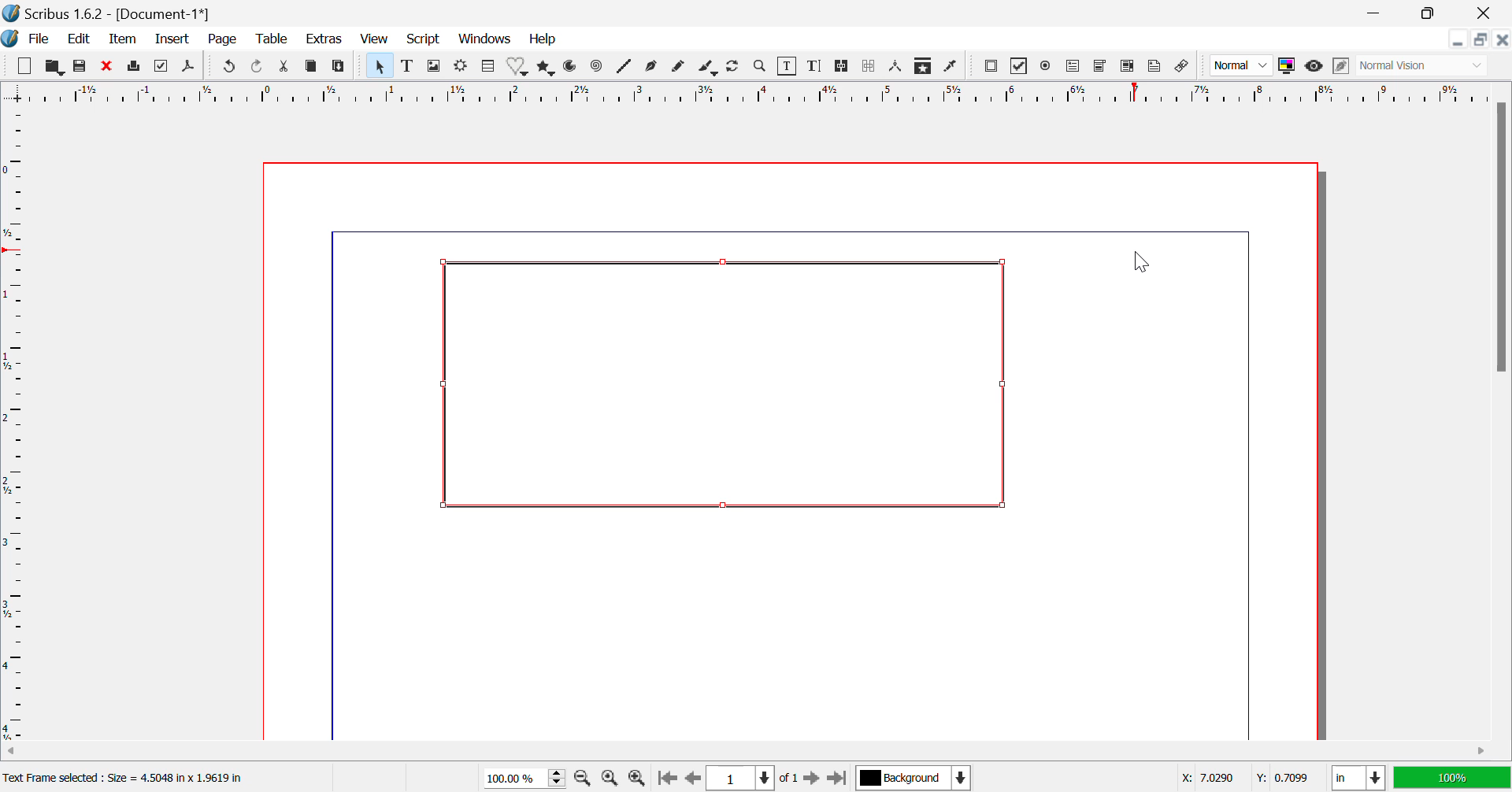  What do you see at coordinates (624, 68) in the screenshot?
I see `Lines` at bounding box center [624, 68].